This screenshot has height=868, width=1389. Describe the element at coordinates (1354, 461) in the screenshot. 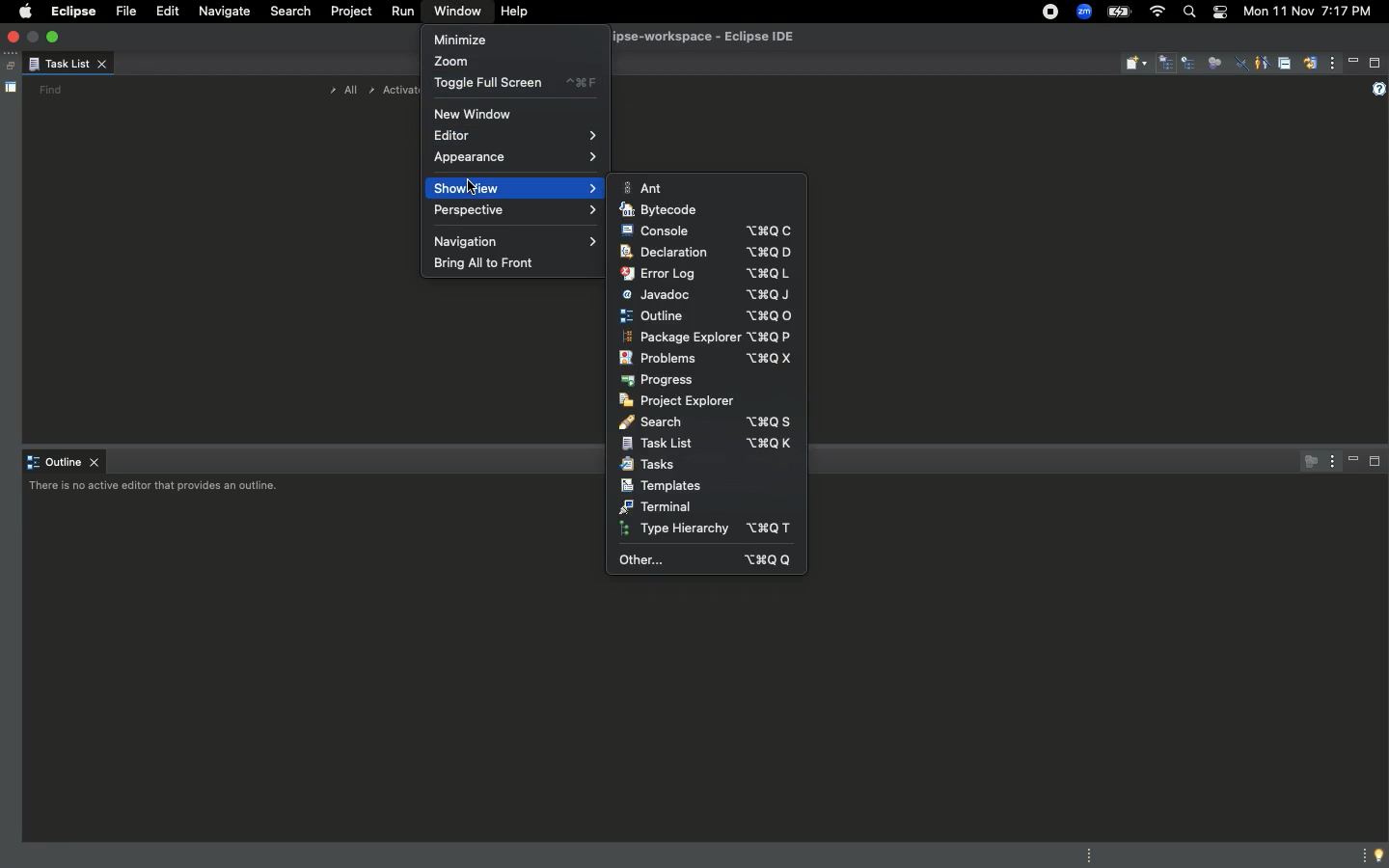

I see `Minimize` at that location.